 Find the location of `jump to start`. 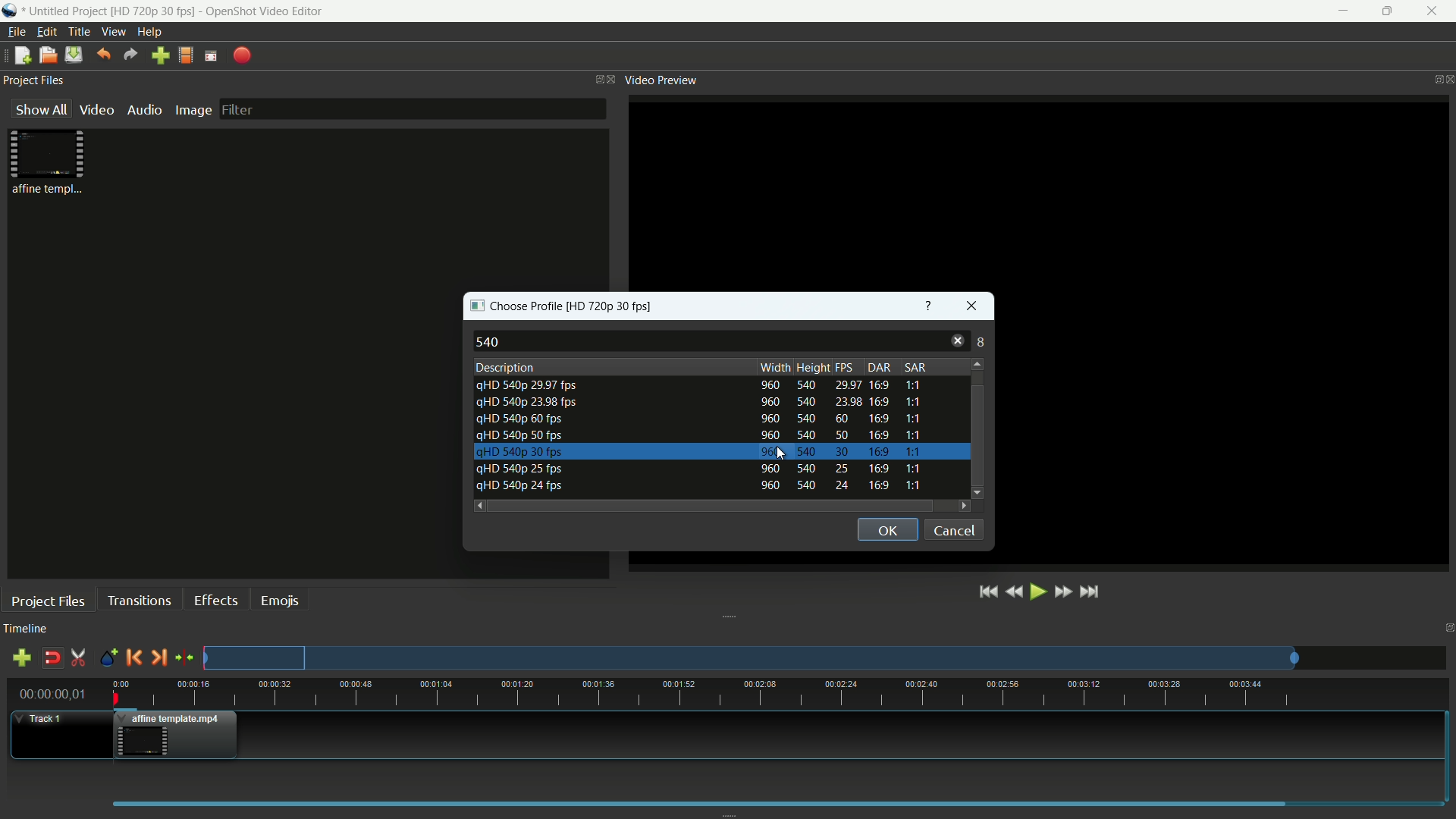

jump to start is located at coordinates (987, 593).